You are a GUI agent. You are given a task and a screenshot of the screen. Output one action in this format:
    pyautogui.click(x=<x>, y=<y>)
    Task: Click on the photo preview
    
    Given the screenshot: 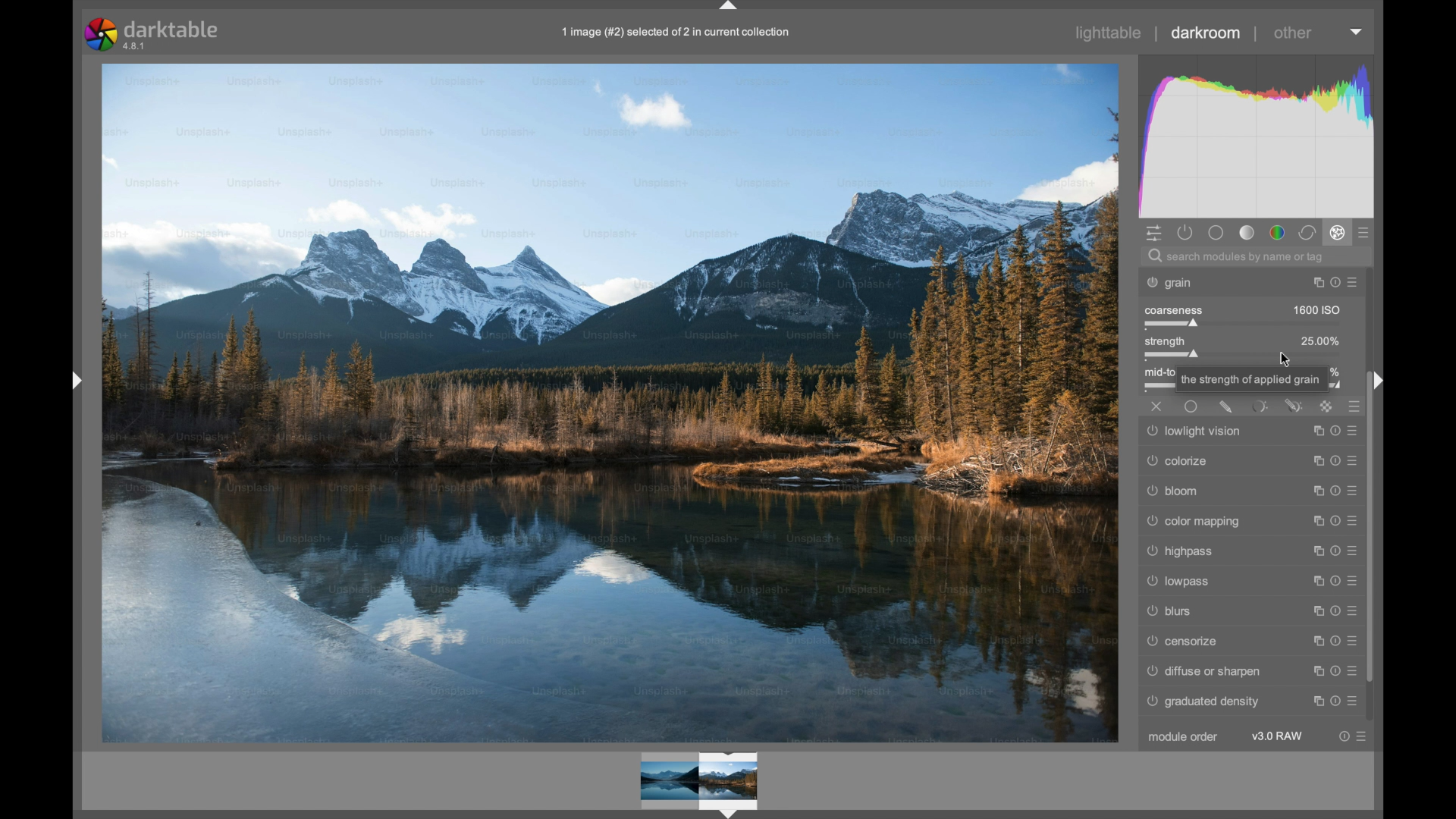 What is the action you would take?
    pyautogui.click(x=611, y=402)
    